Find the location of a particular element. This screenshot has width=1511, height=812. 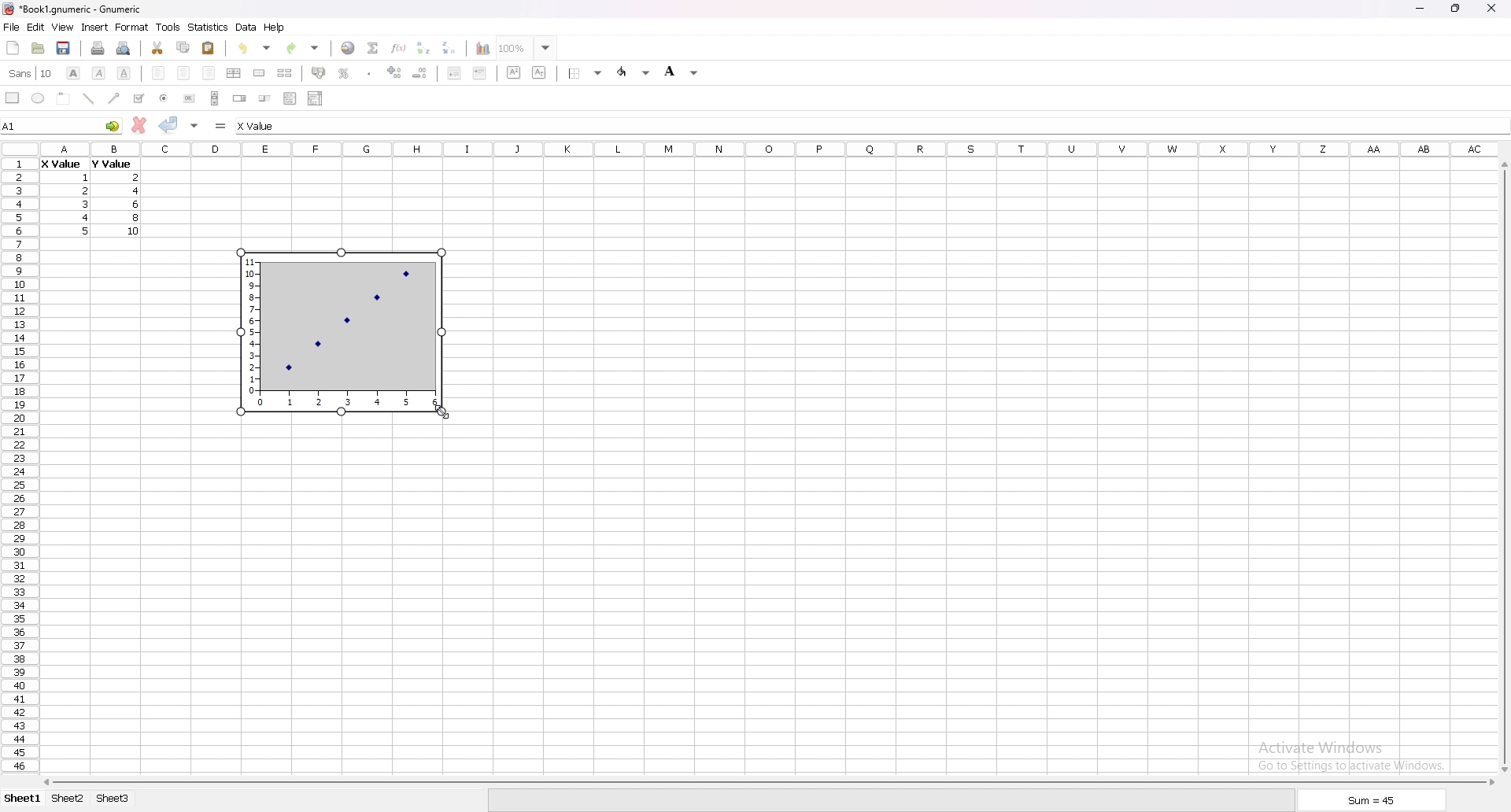

centre is located at coordinates (184, 72).